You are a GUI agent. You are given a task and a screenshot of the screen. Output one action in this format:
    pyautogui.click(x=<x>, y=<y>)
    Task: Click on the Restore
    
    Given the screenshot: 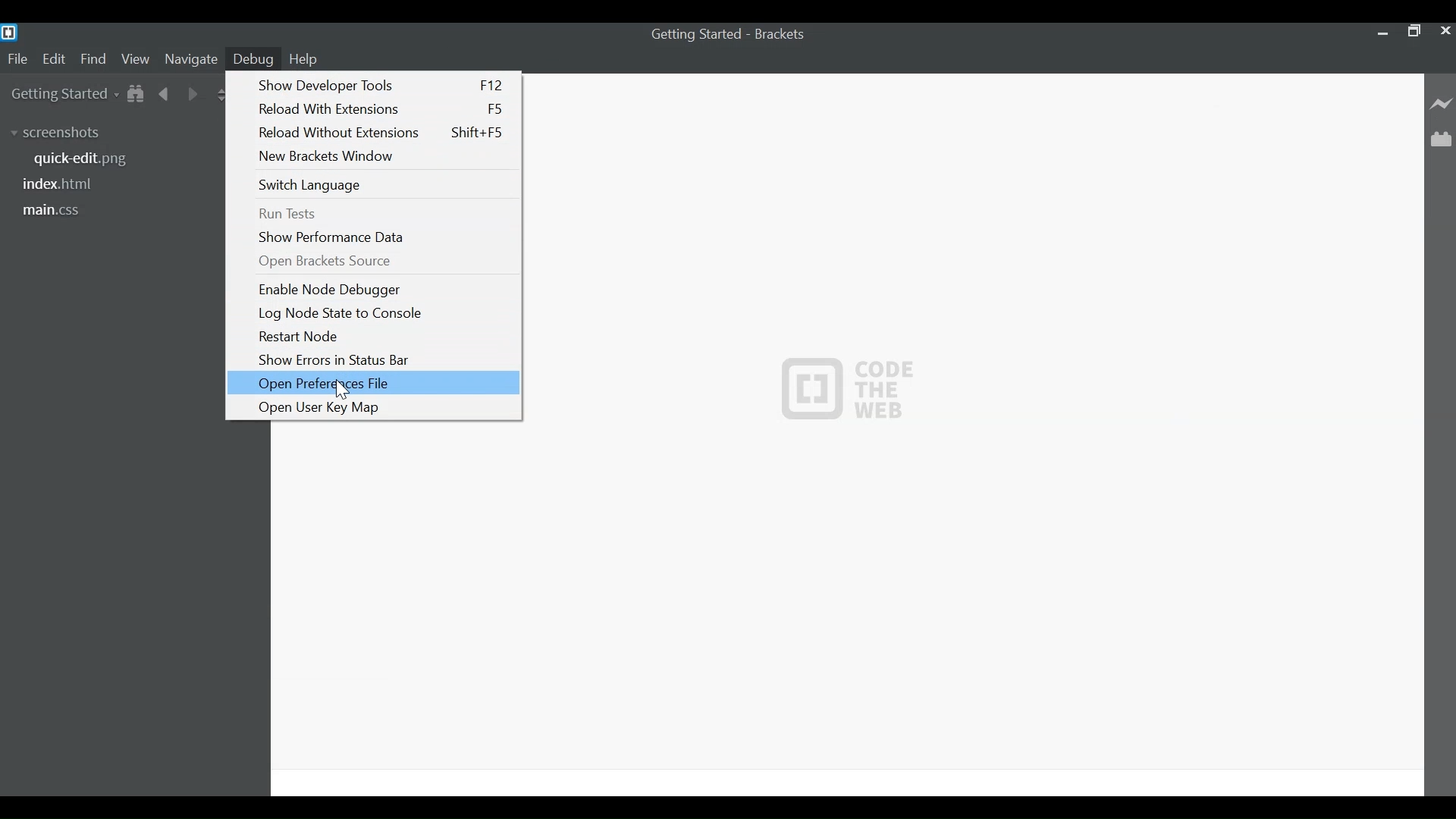 What is the action you would take?
    pyautogui.click(x=1414, y=32)
    